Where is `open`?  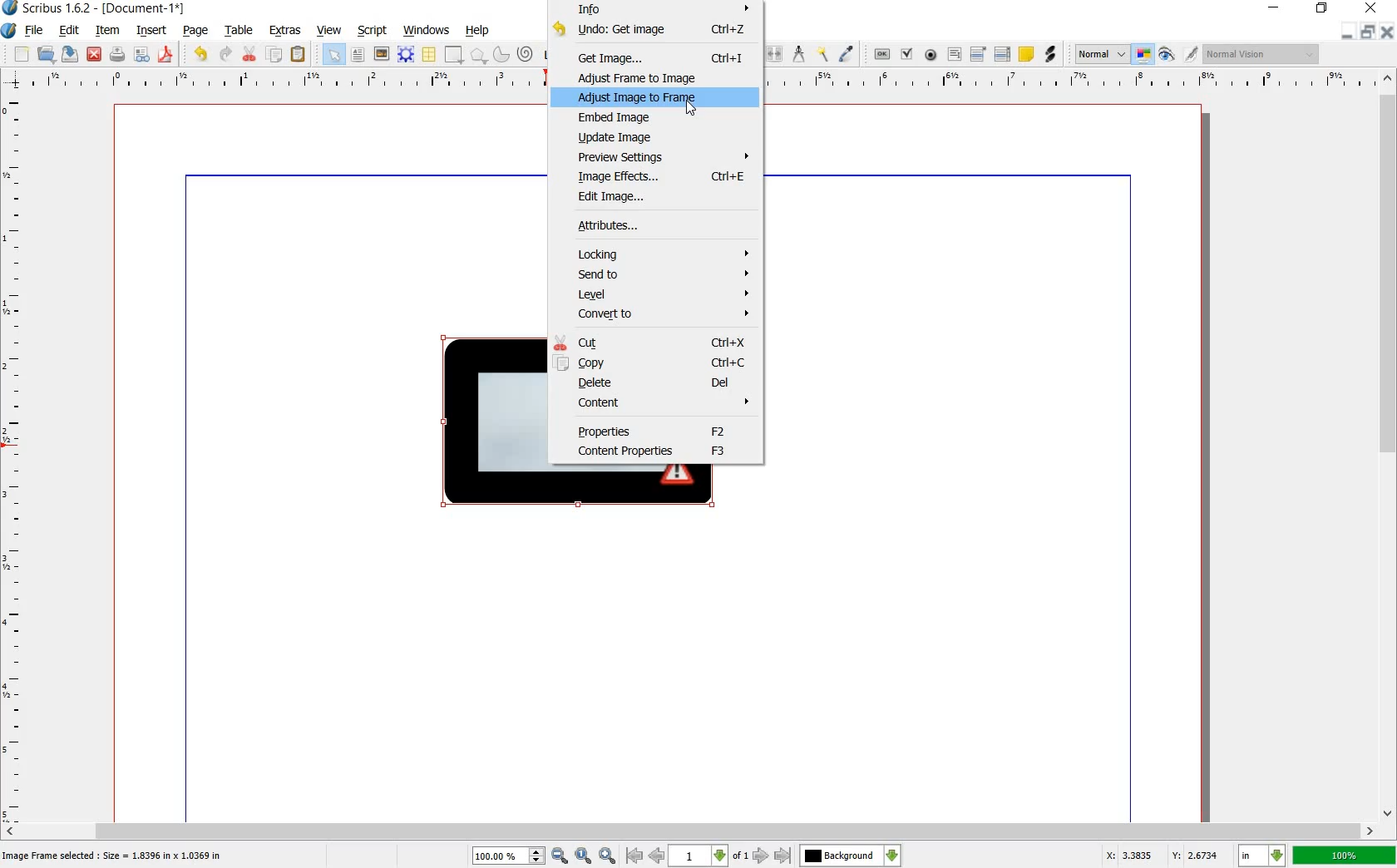
open is located at coordinates (46, 55).